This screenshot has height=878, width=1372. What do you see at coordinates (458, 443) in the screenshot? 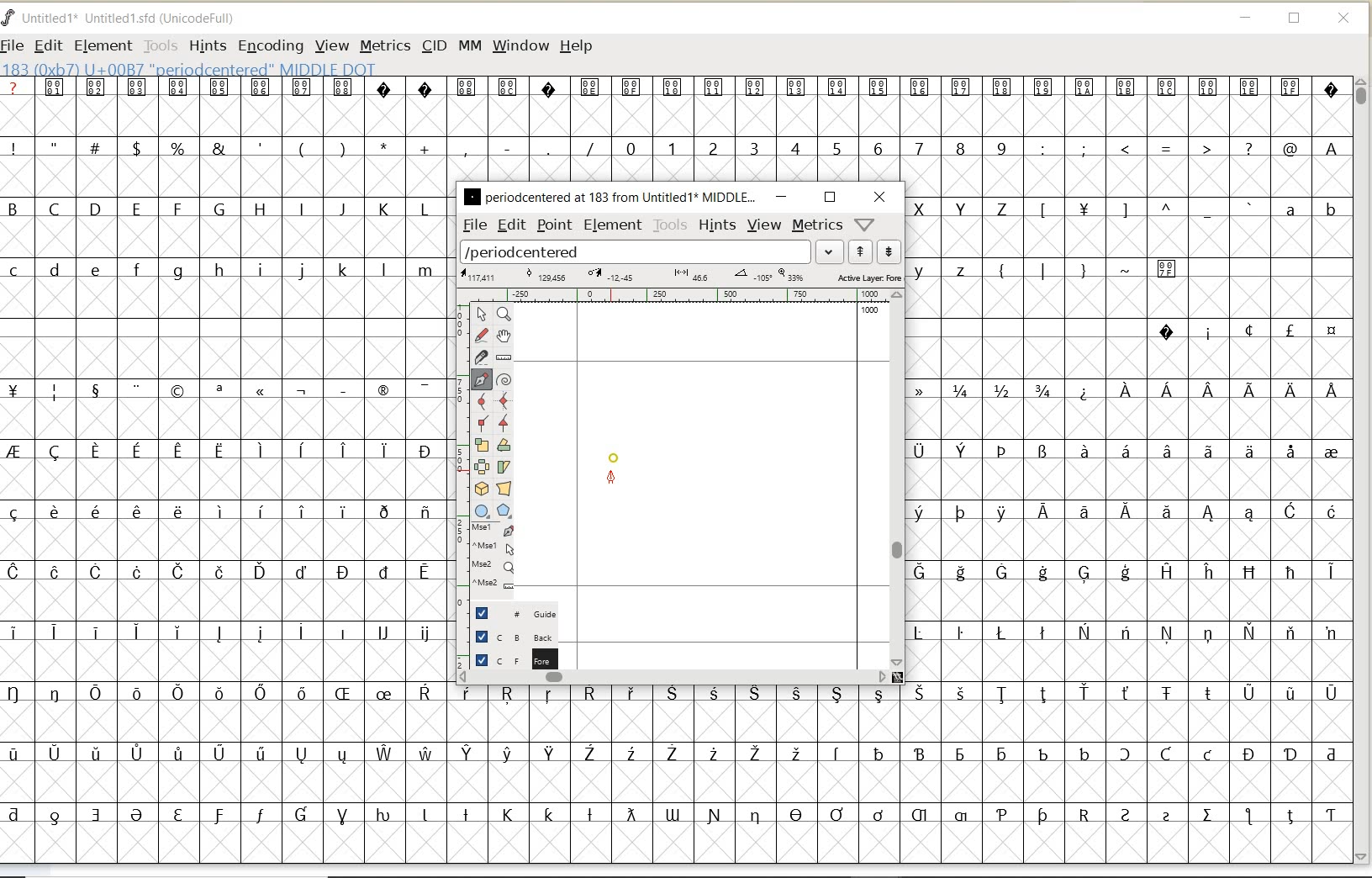
I see `scale` at bounding box center [458, 443].